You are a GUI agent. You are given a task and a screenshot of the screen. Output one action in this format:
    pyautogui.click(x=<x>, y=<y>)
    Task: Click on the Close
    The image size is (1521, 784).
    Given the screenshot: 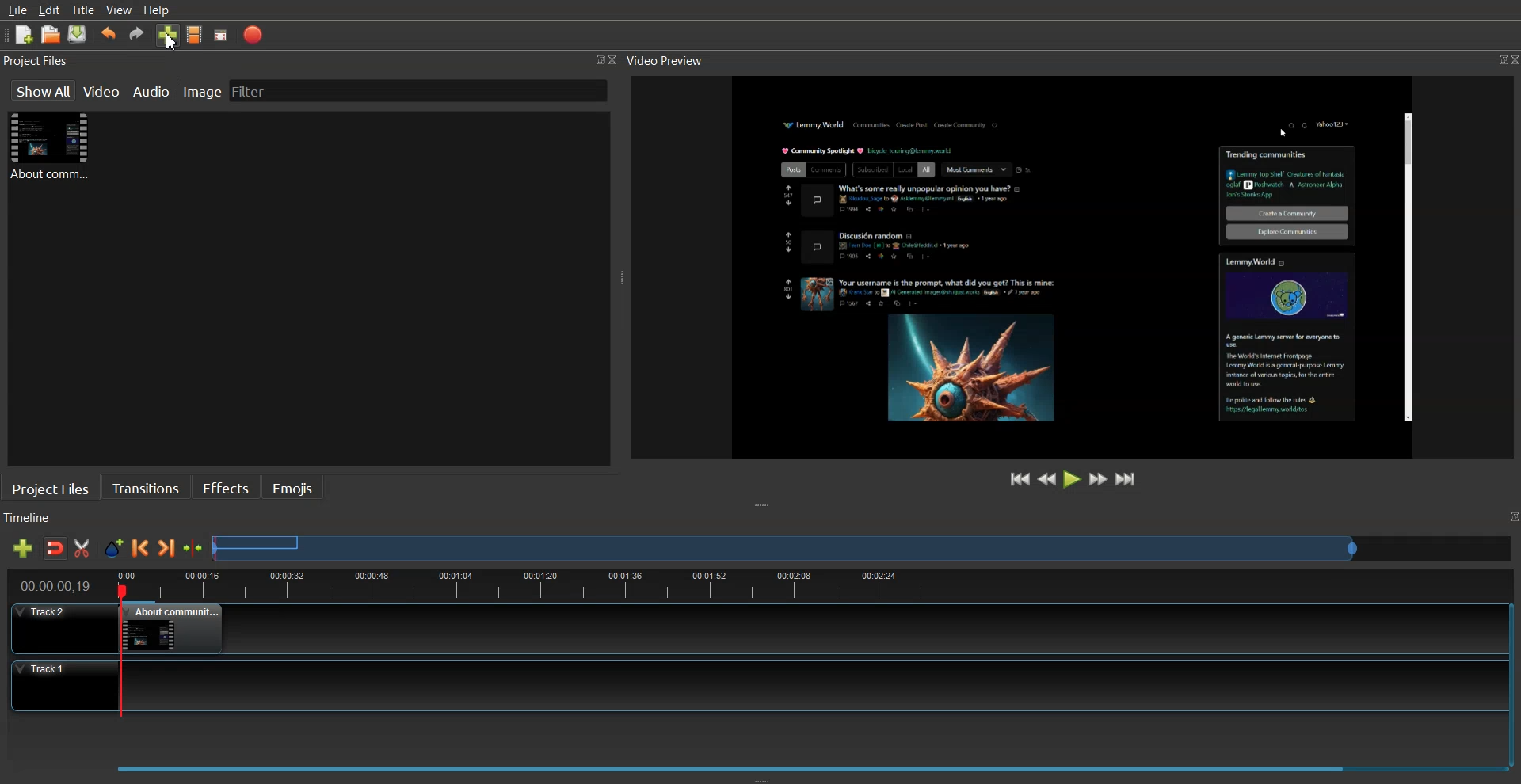 What is the action you would take?
    pyautogui.click(x=617, y=61)
    